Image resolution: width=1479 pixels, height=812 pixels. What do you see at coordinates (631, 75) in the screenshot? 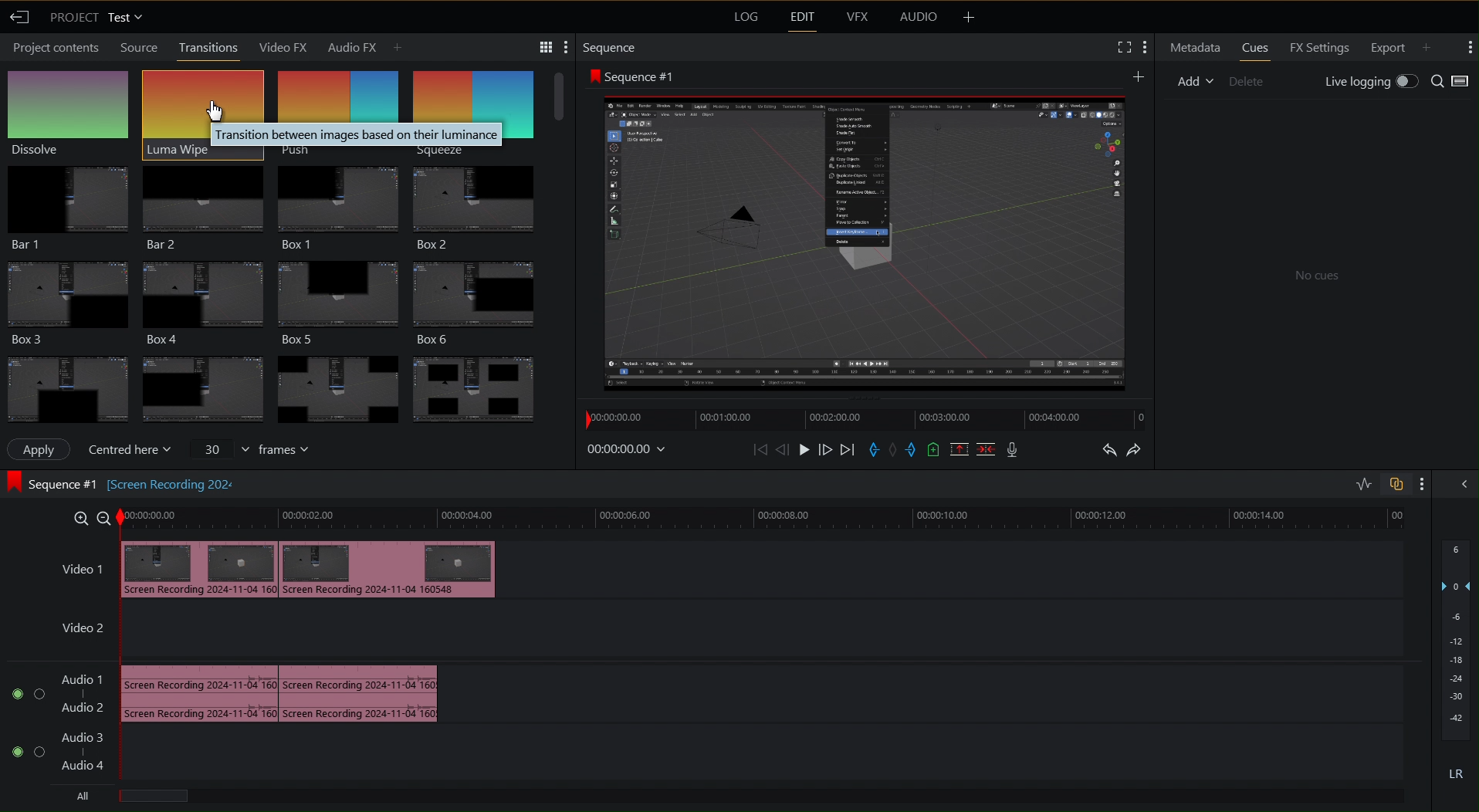
I see `Sequence 1` at bounding box center [631, 75].